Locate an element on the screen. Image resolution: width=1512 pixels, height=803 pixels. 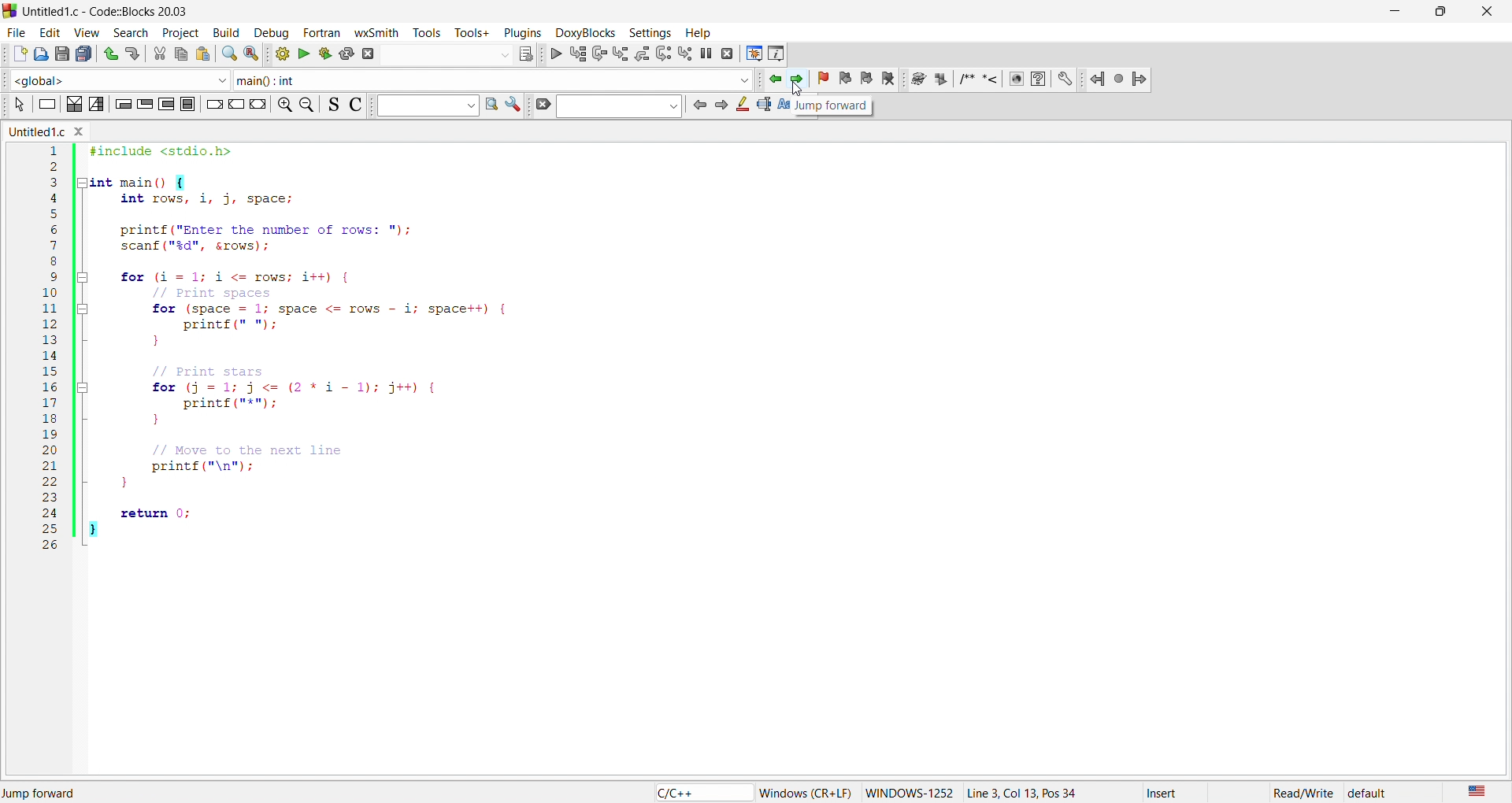
icon is located at coordinates (330, 105).